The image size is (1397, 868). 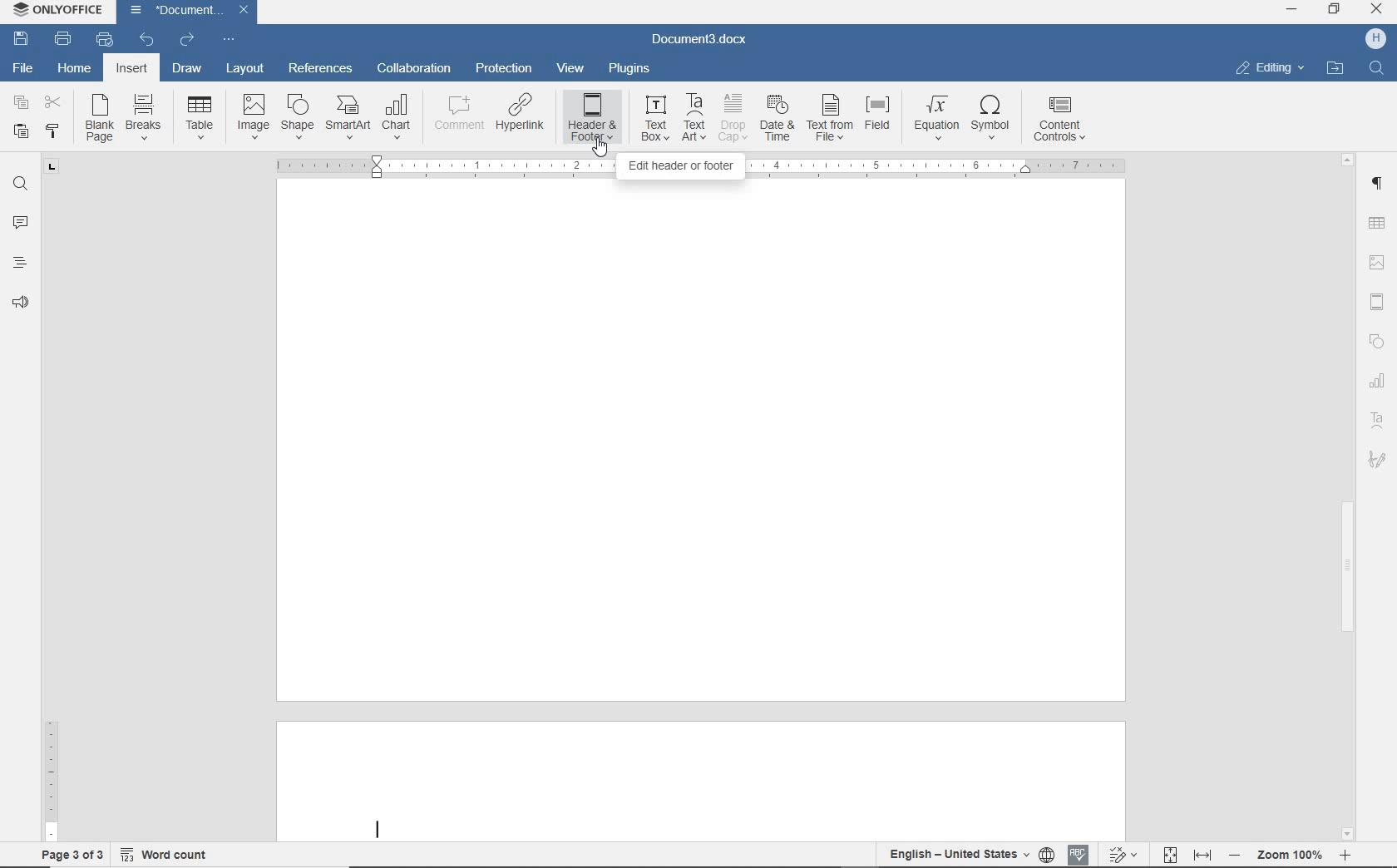 What do you see at coordinates (348, 119) in the screenshot?
I see `SMARTART` at bounding box center [348, 119].